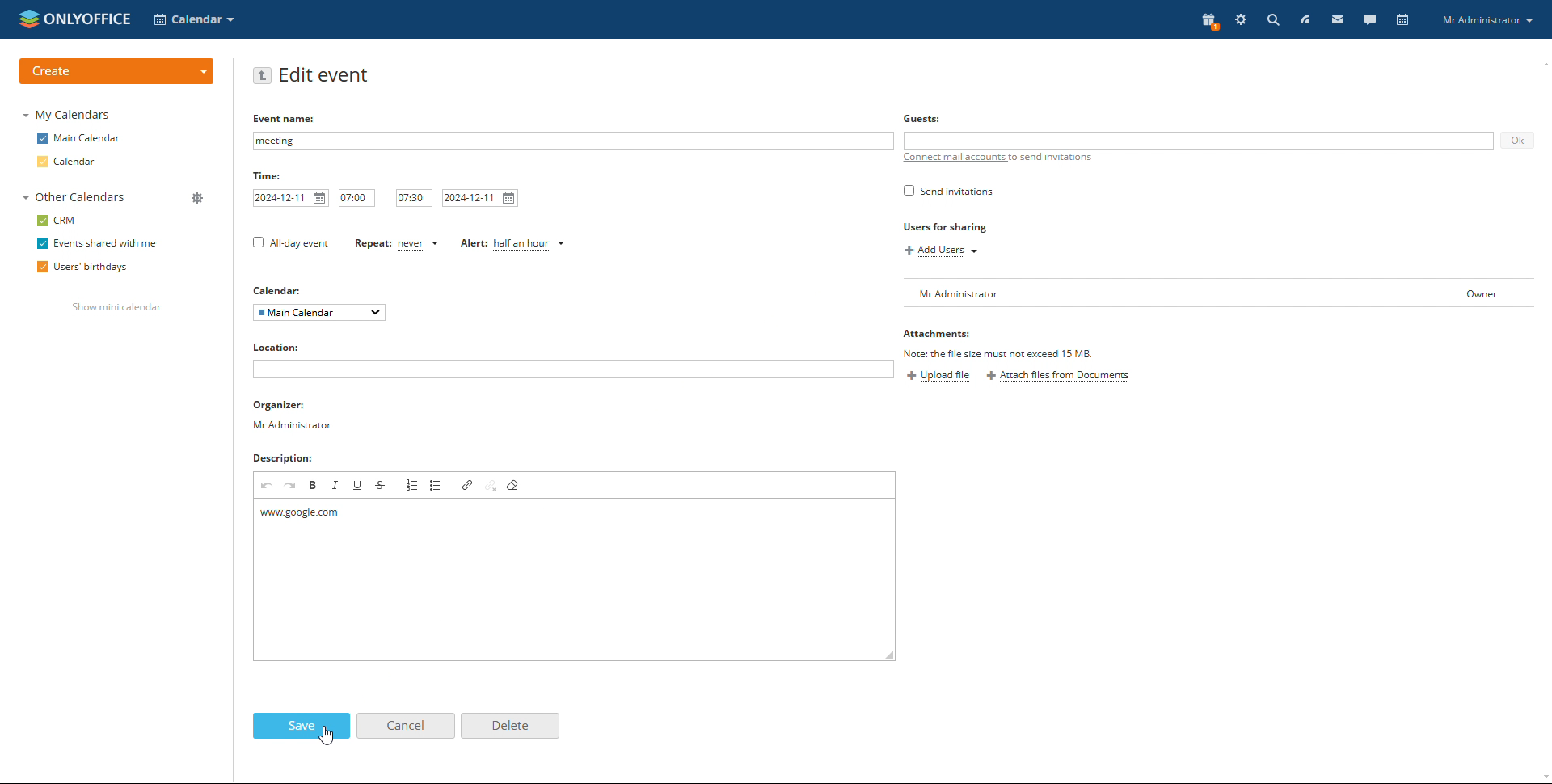  Describe the element at coordinates (326, 76) in the screenshot. I see `edit event` at that location.